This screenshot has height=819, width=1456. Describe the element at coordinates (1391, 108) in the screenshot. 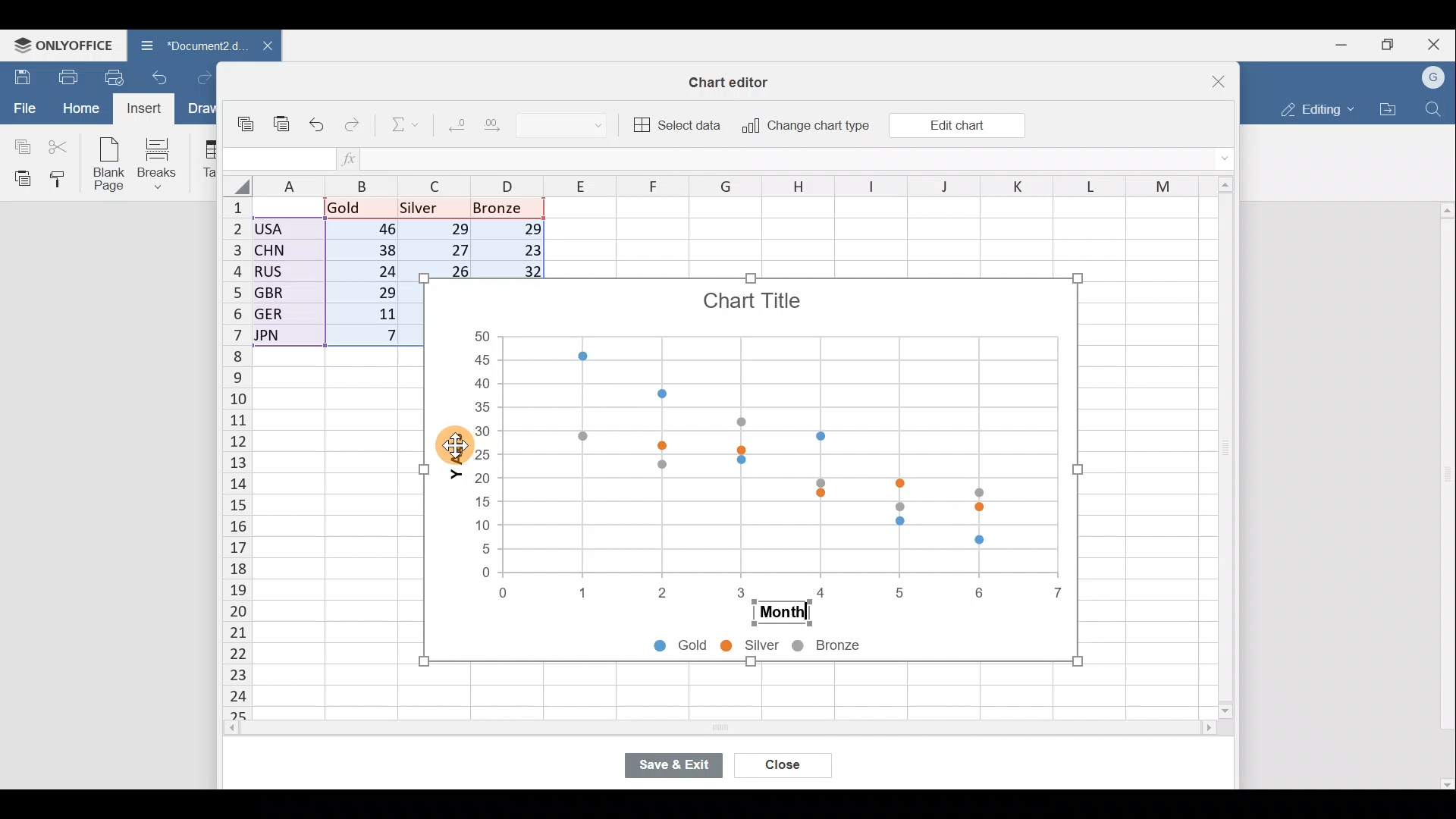

I see `Open file location` at that location.